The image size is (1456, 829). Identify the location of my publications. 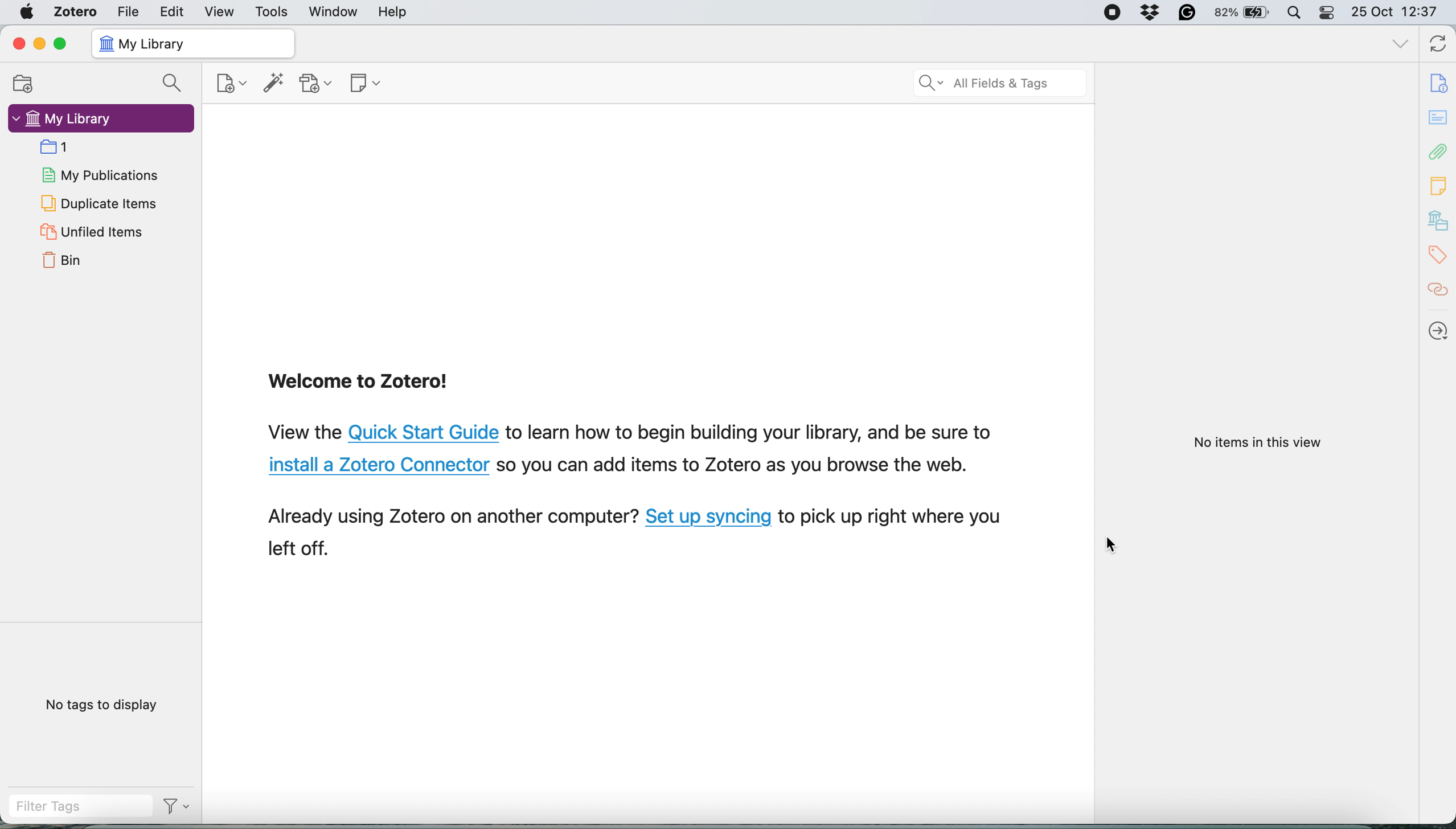
(98, 175).